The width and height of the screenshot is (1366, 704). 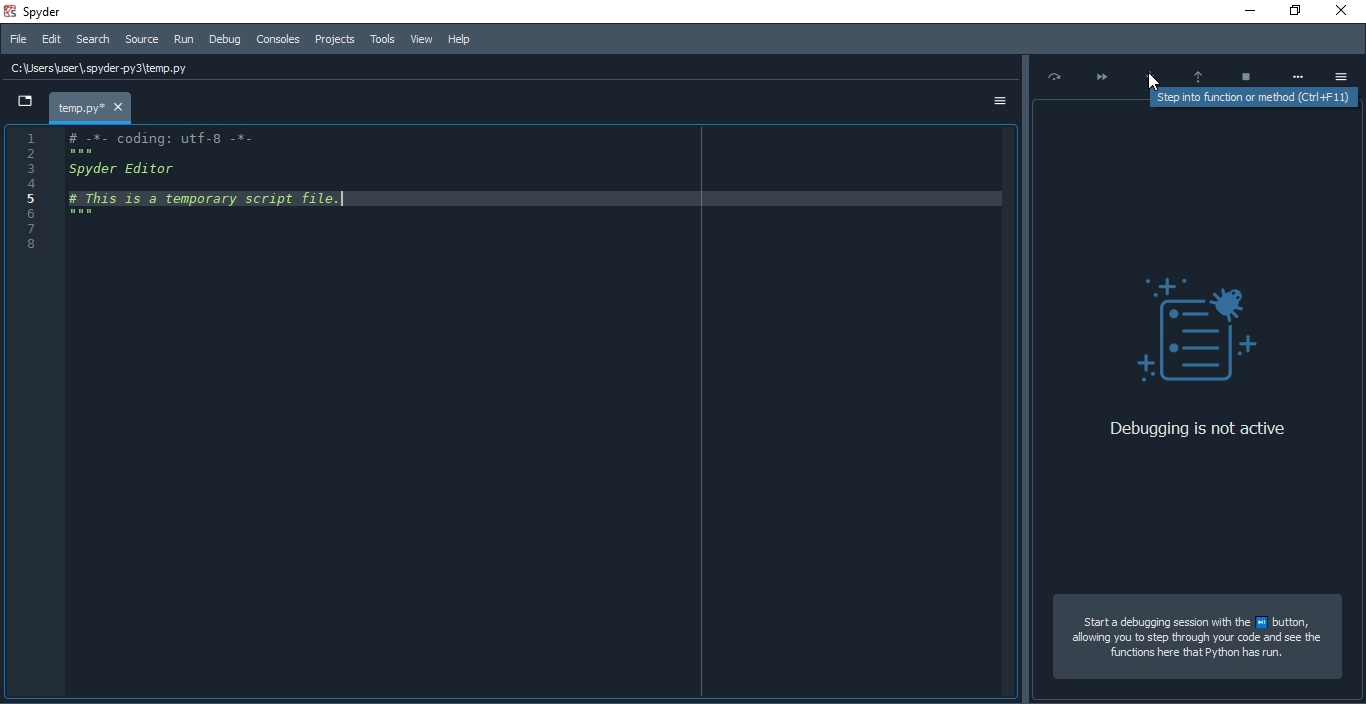 What do you see at coordinates (22, 193) in the screenshot?
I see `Line numbers` at bounding box center [22, 193].